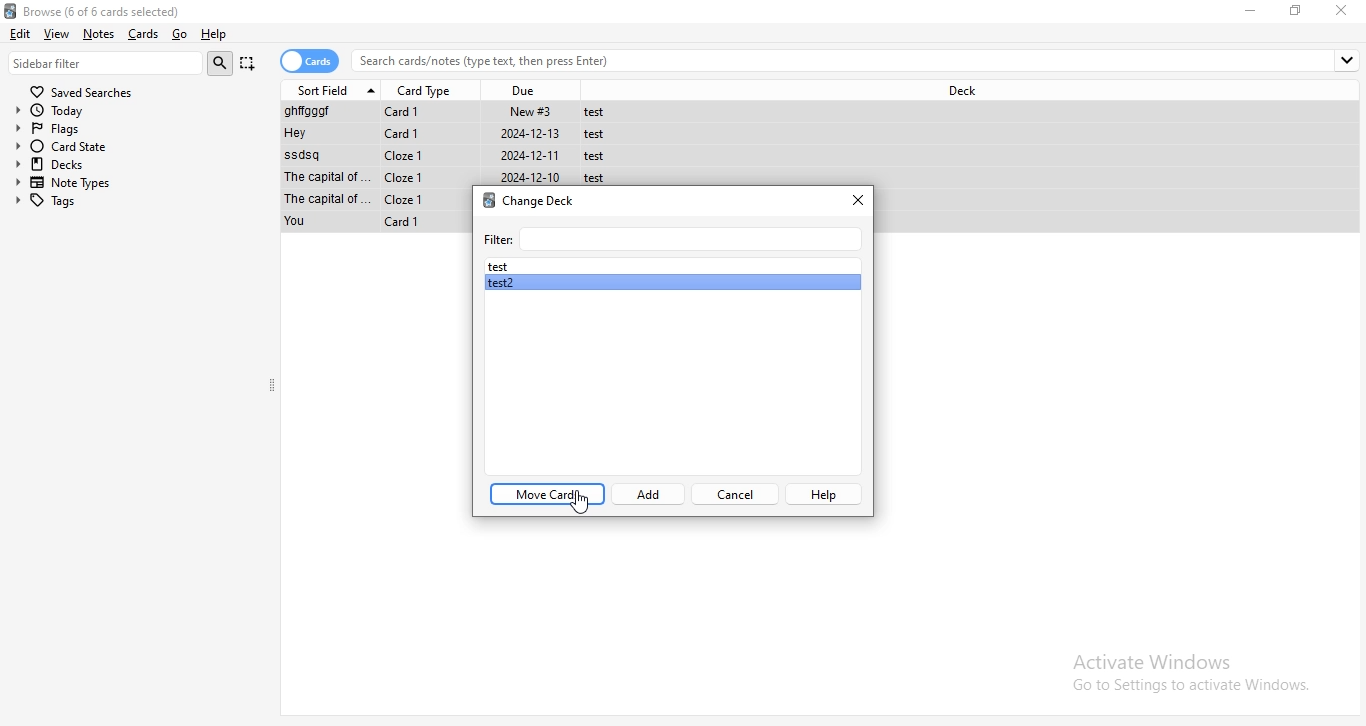  What do you see at coordinates (858, 200) in the screenshot?
I see `close` at bounding box center [858, 200].